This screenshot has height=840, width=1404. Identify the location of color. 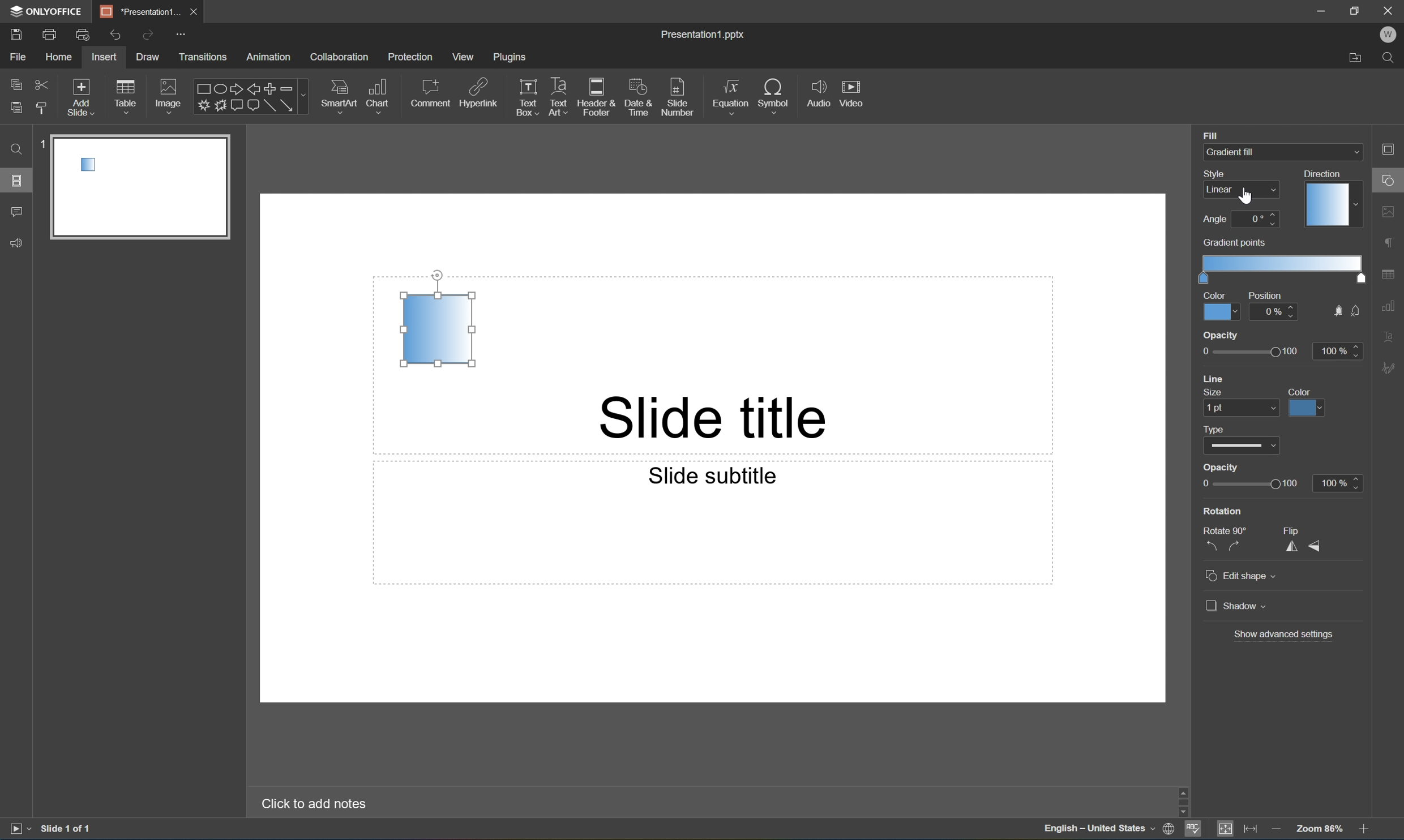
(1222, 306).